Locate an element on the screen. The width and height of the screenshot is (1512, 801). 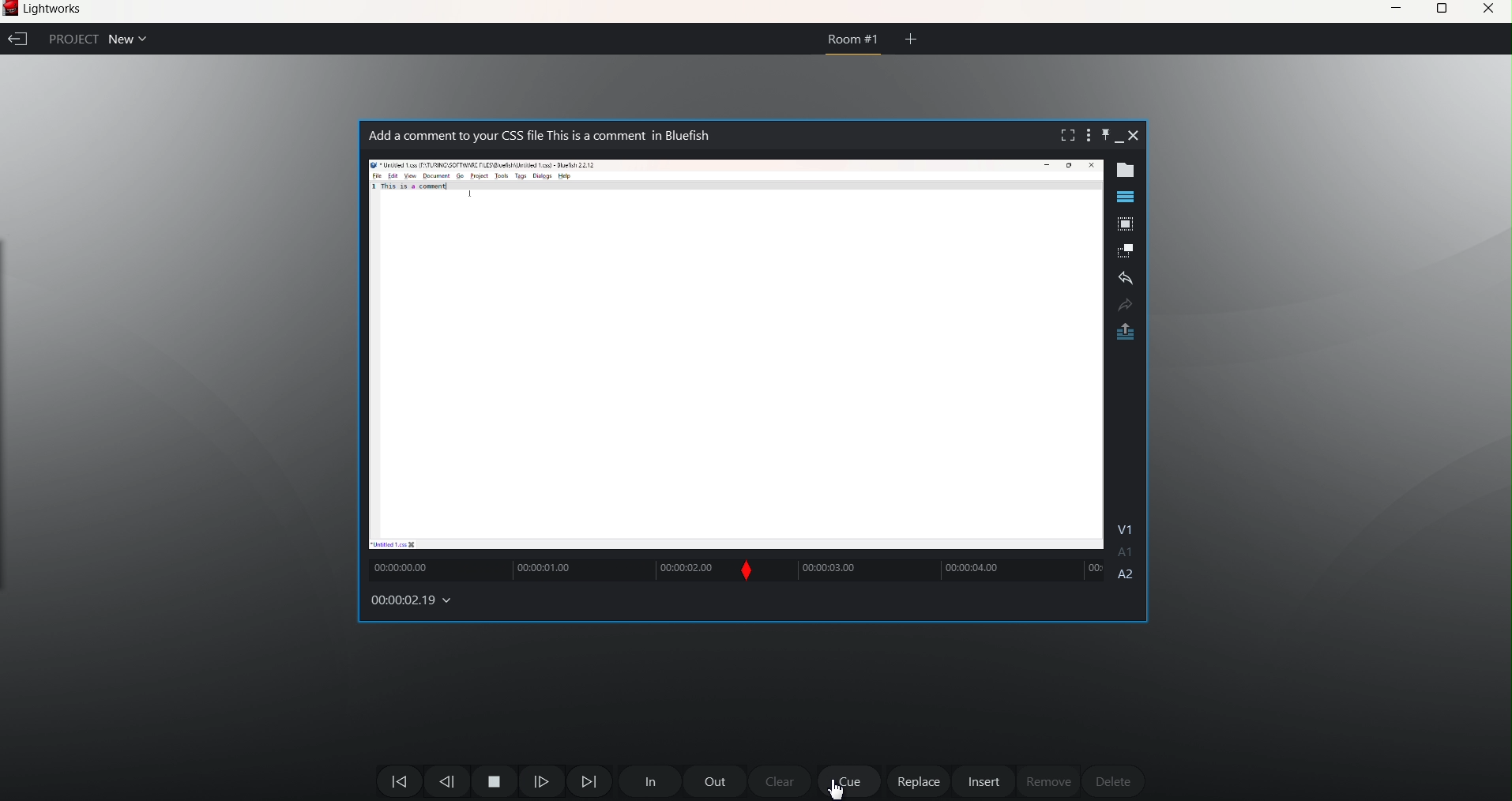
show setting menu is located at coordinates (1086, 135).